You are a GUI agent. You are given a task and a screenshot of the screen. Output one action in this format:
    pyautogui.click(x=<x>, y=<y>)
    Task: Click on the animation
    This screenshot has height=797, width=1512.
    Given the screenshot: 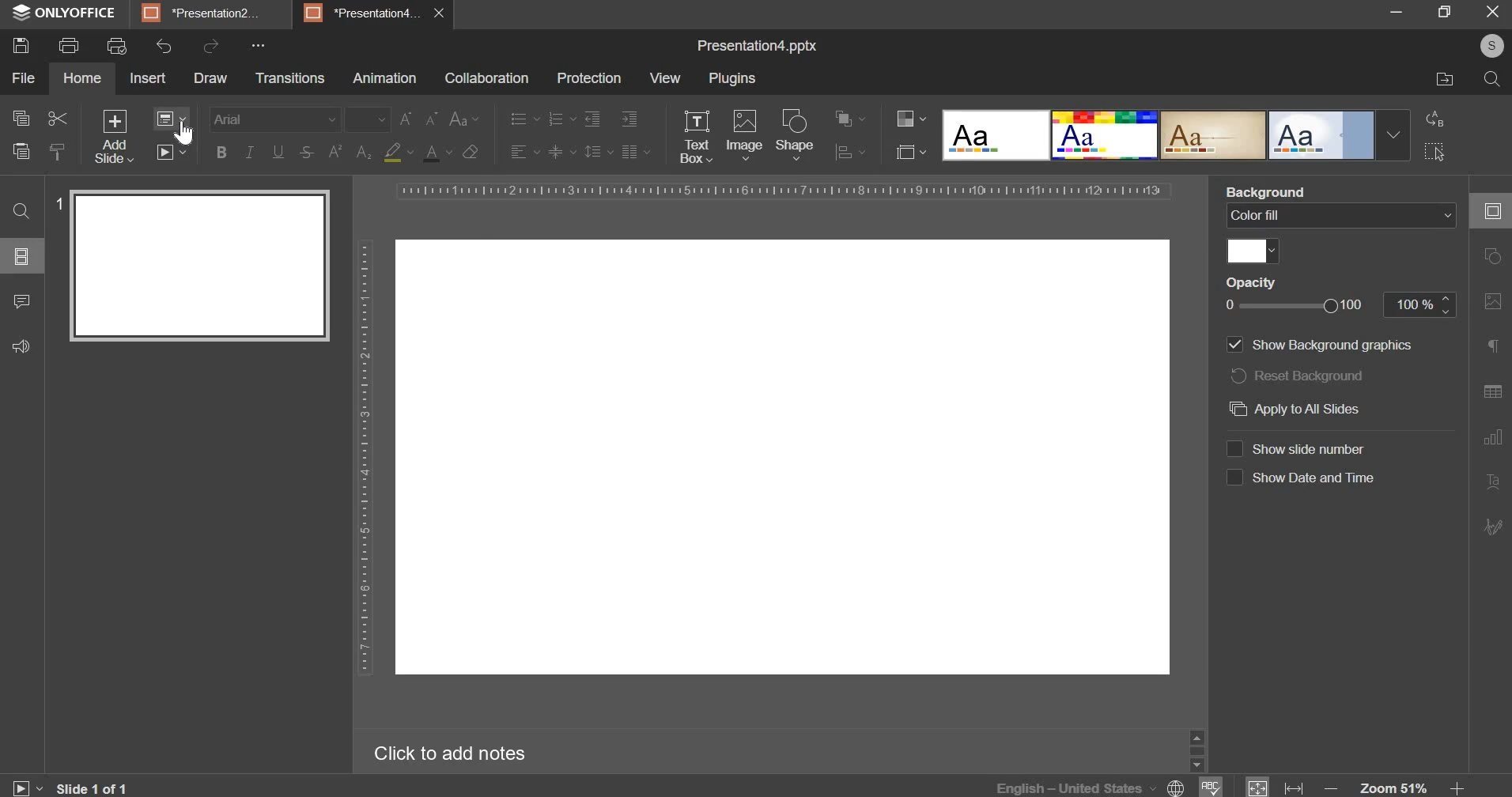 What is the action you would take?
    pyautogui.click(x=385, y=79)
    